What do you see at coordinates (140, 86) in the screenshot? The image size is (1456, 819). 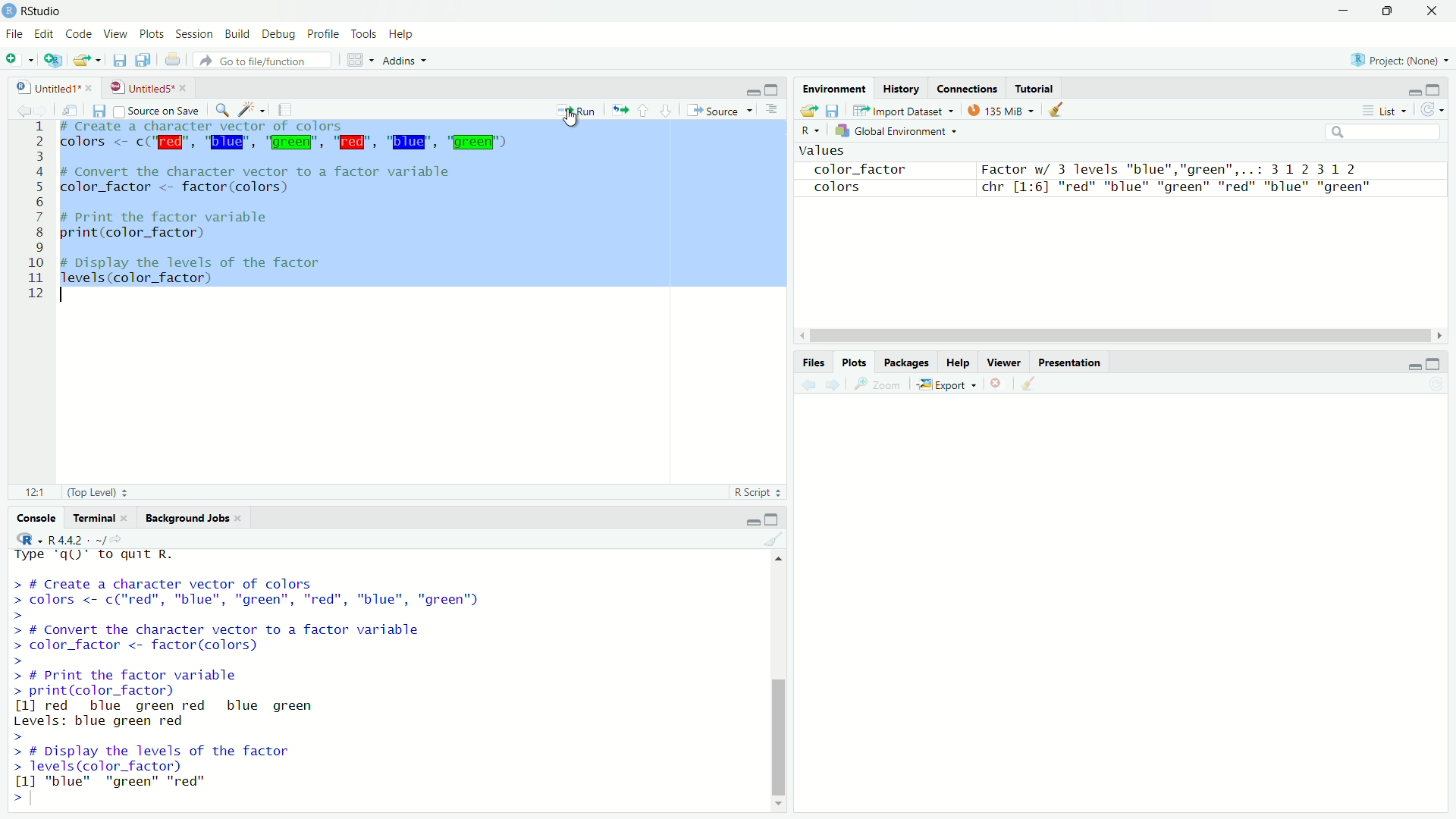 I see `untitled5` at bounding box center [140, 86].